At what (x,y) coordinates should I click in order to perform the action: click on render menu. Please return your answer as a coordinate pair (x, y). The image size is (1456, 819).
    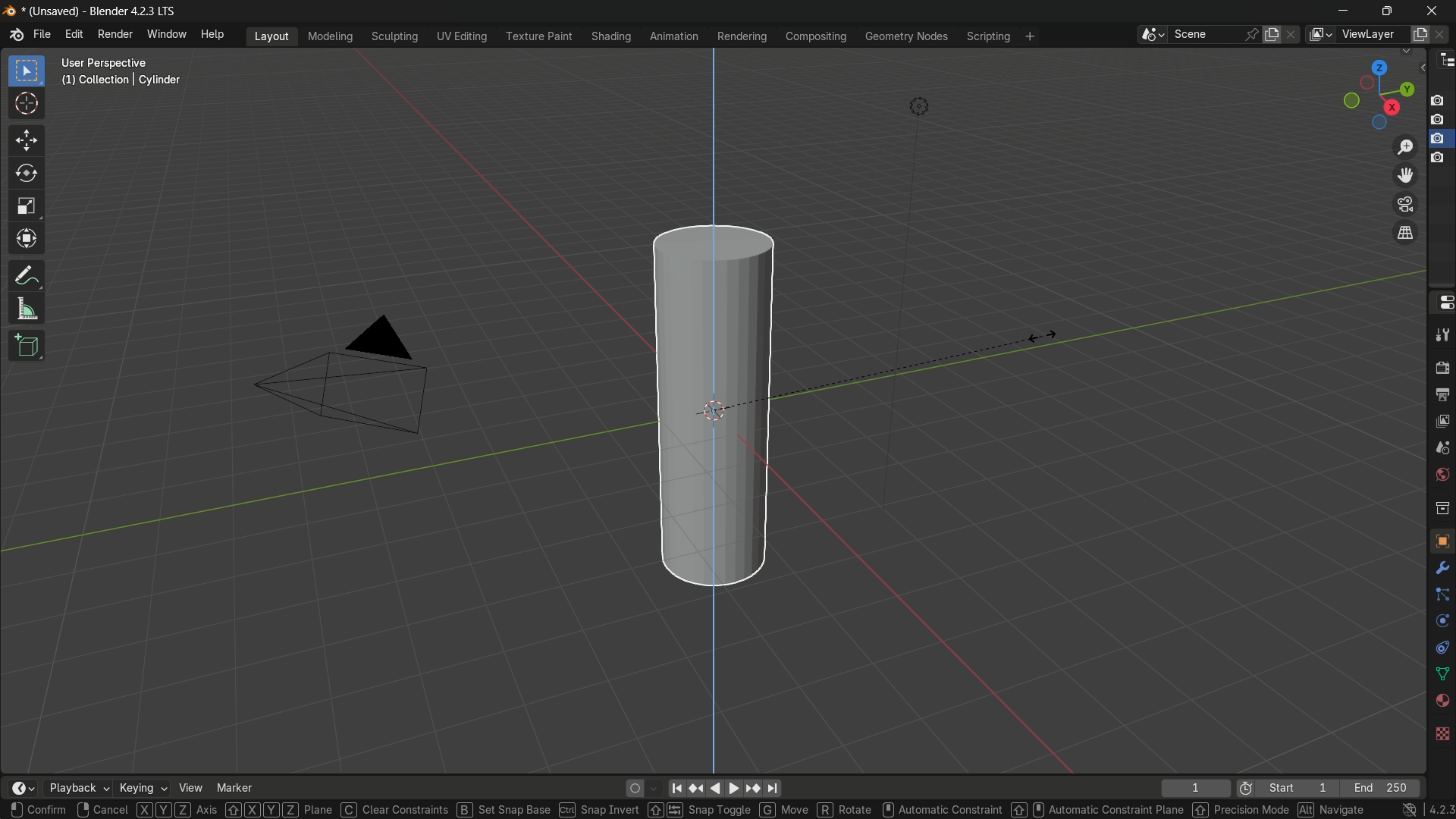
    Looking at the image, I should click on (115, 34).